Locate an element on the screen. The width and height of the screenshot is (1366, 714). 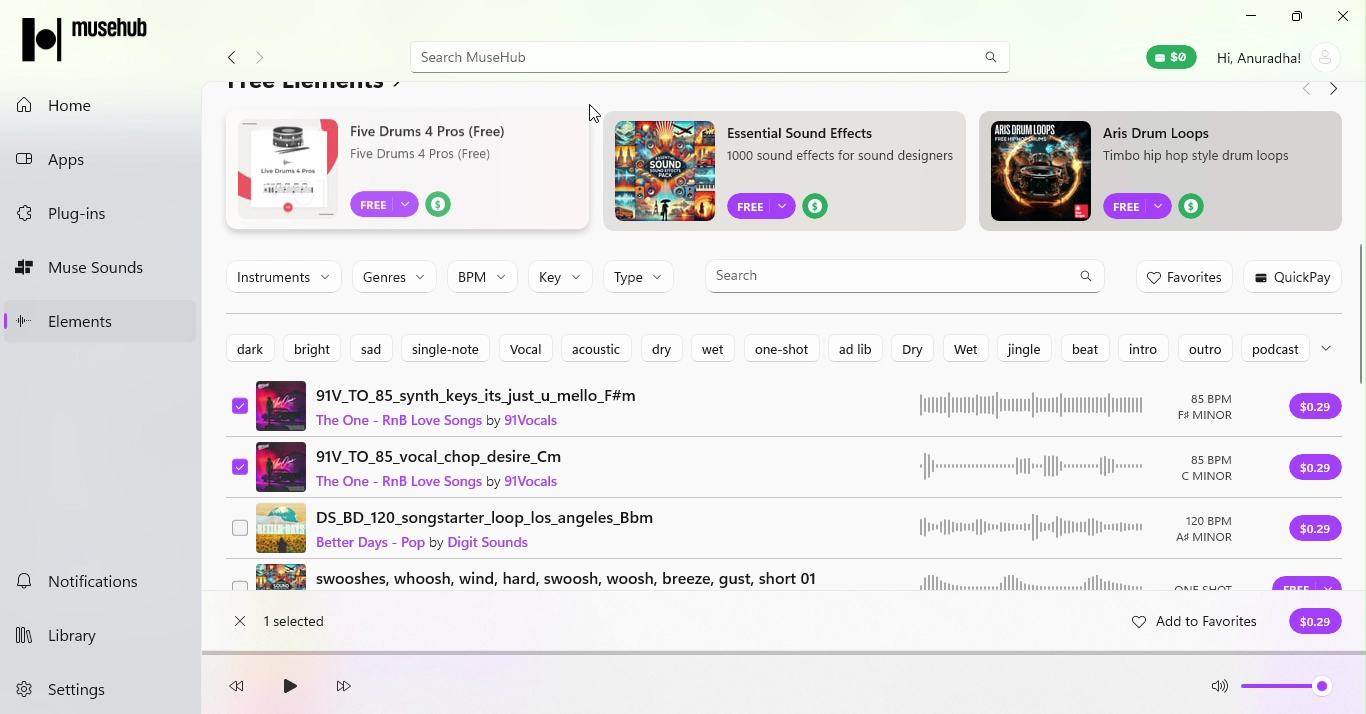
Navigate back is located at coordinates (1304, 91).